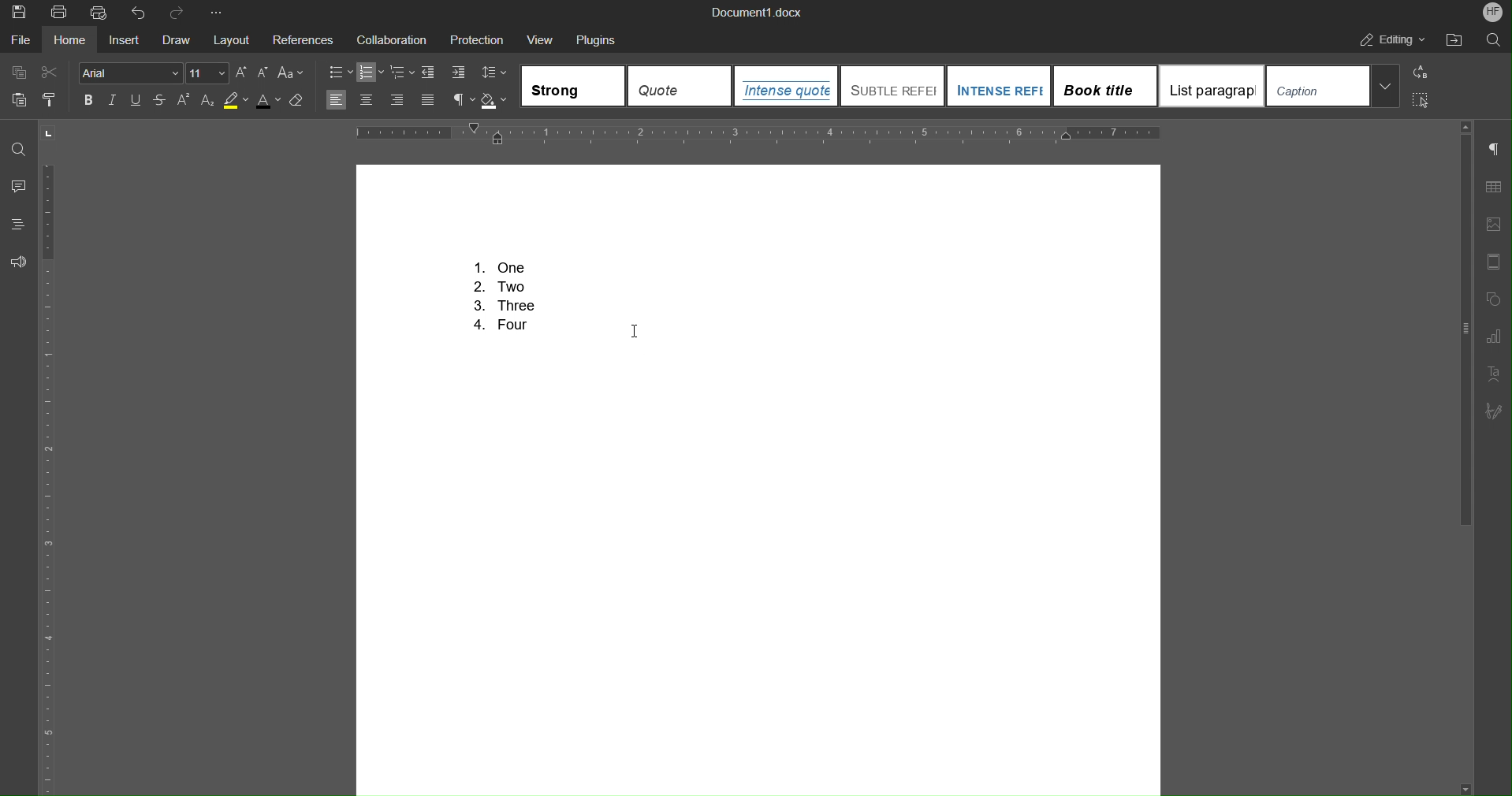 This screenshot has height=796, width=1512. I want to click on Numbered List, so click(372, 72).